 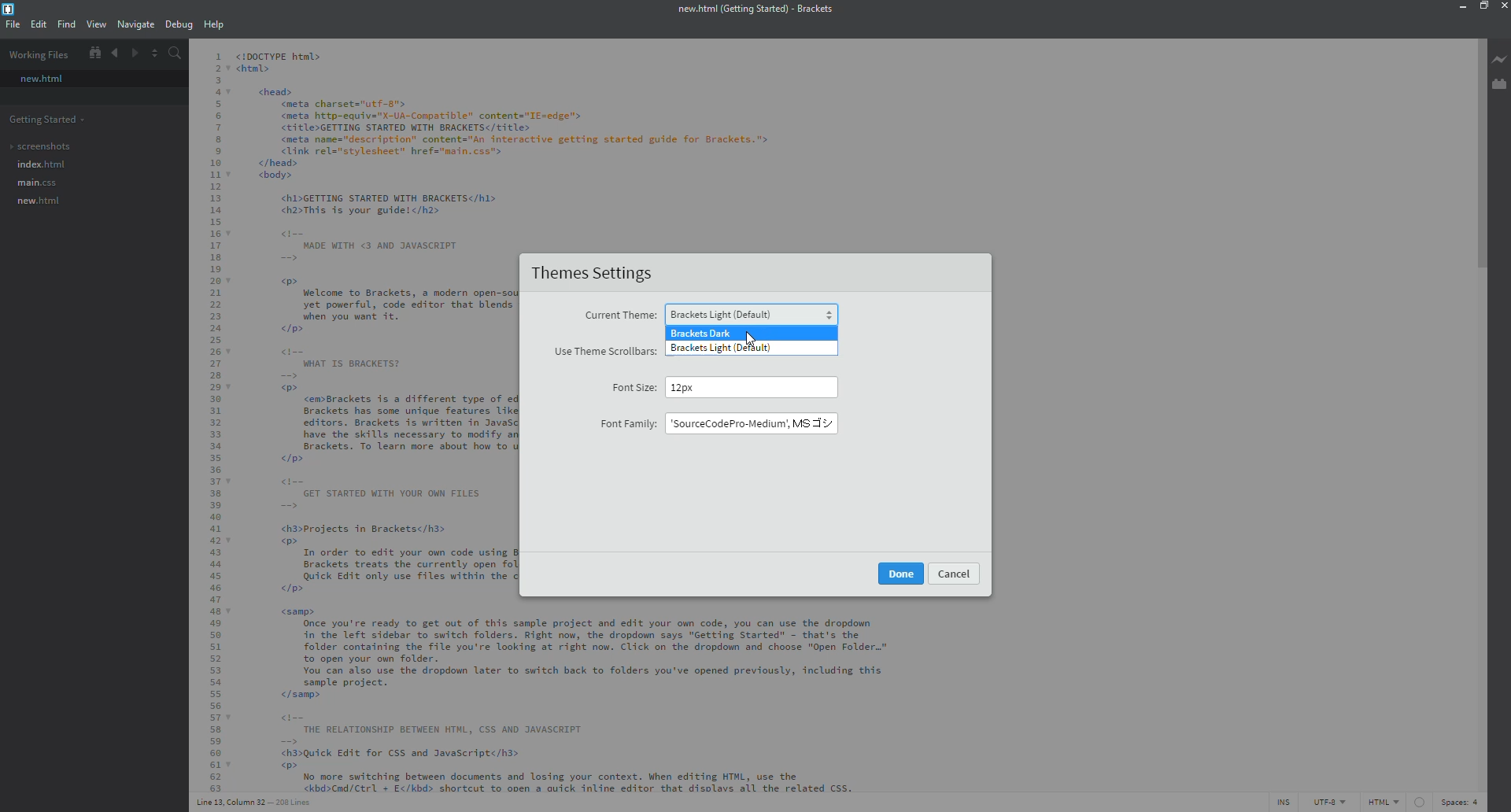 What do you see at coordinates (97, 24) in the screenshot?
I see `view` at bounding box center [97, 24].